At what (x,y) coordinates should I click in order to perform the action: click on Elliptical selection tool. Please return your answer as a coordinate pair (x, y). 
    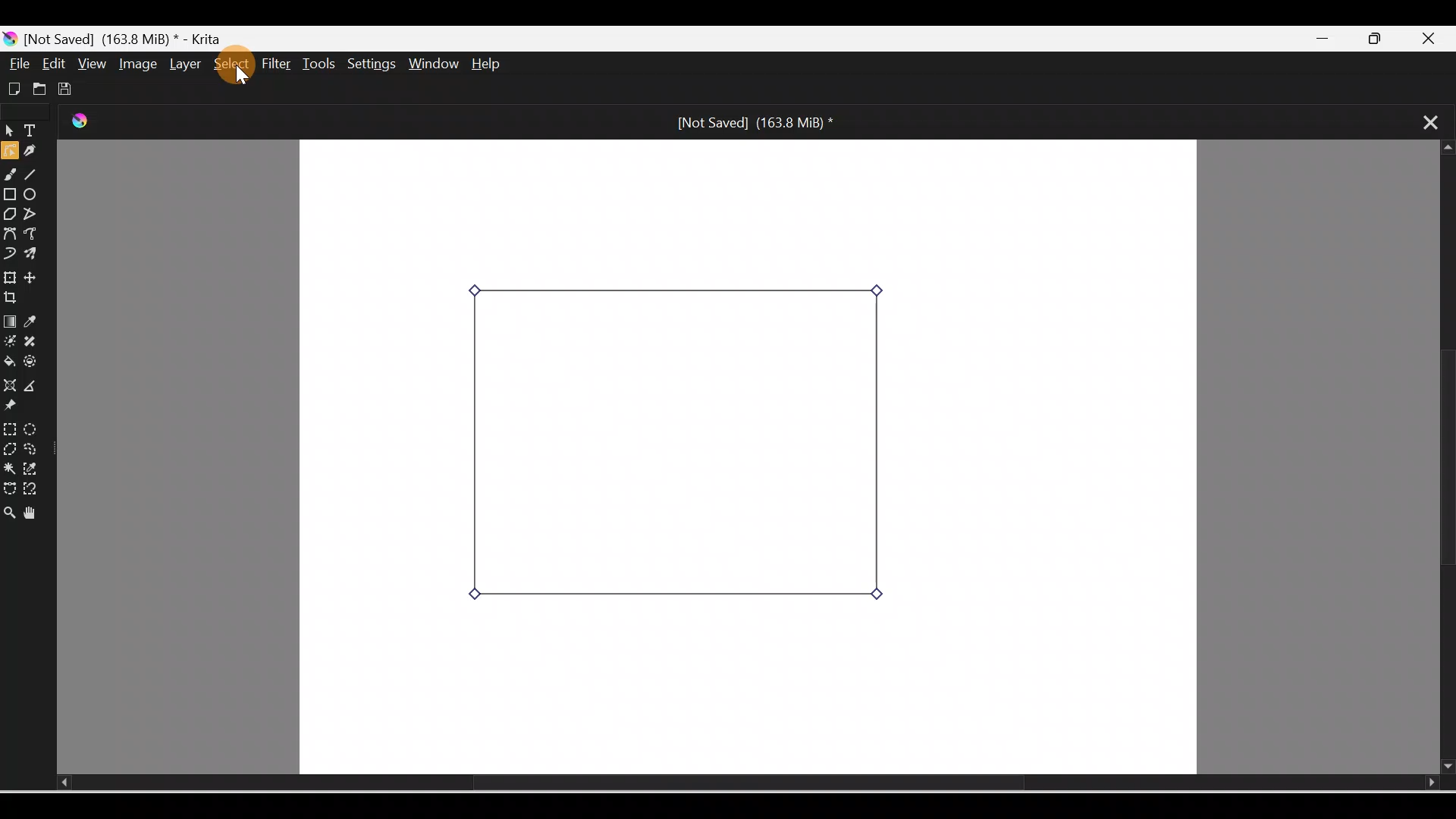
    Looking at the image, I should click on (31, 427).